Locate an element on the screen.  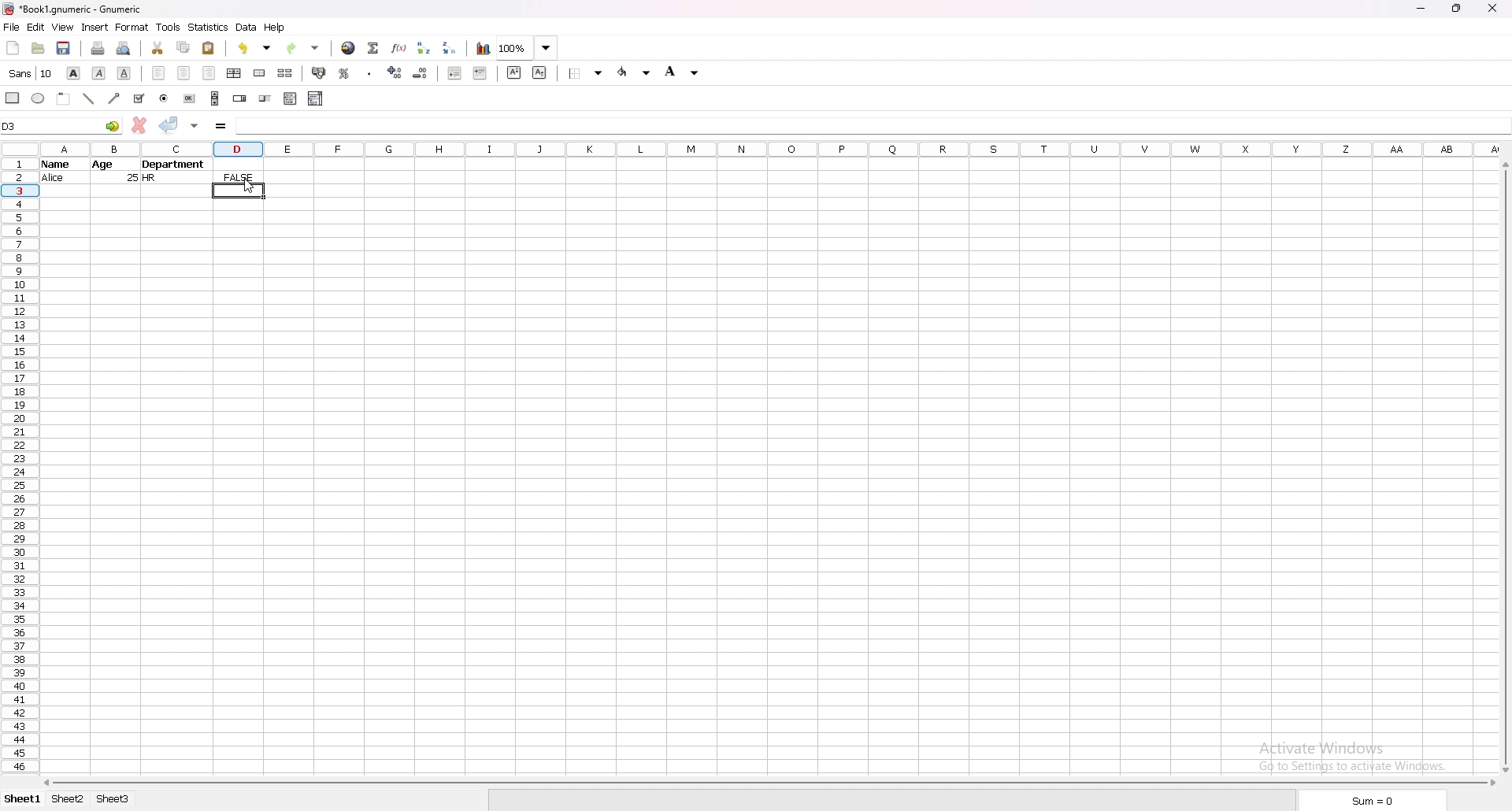
column is located at coordinates (769, 148).